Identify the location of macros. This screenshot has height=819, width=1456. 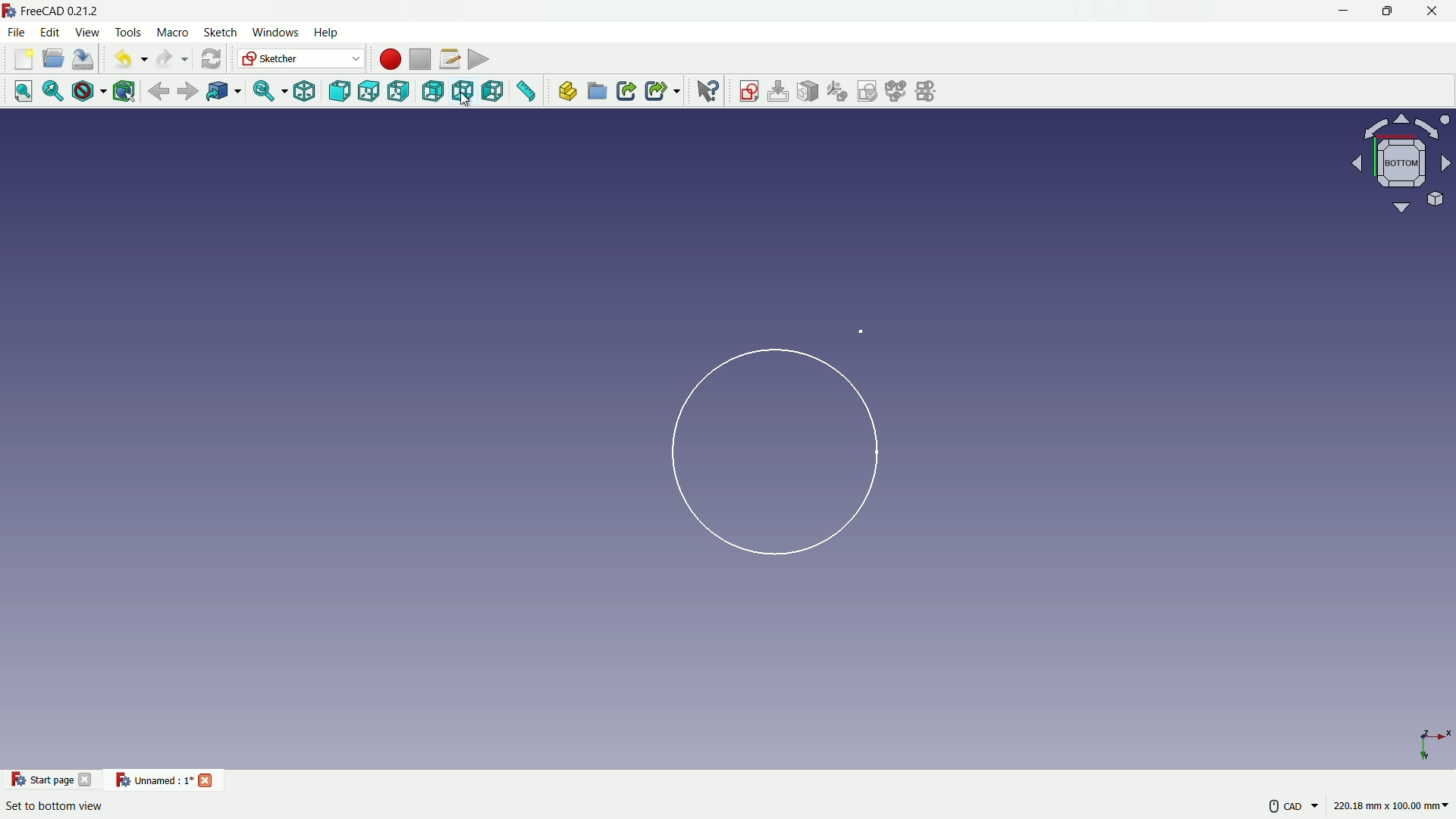
(449, 58).